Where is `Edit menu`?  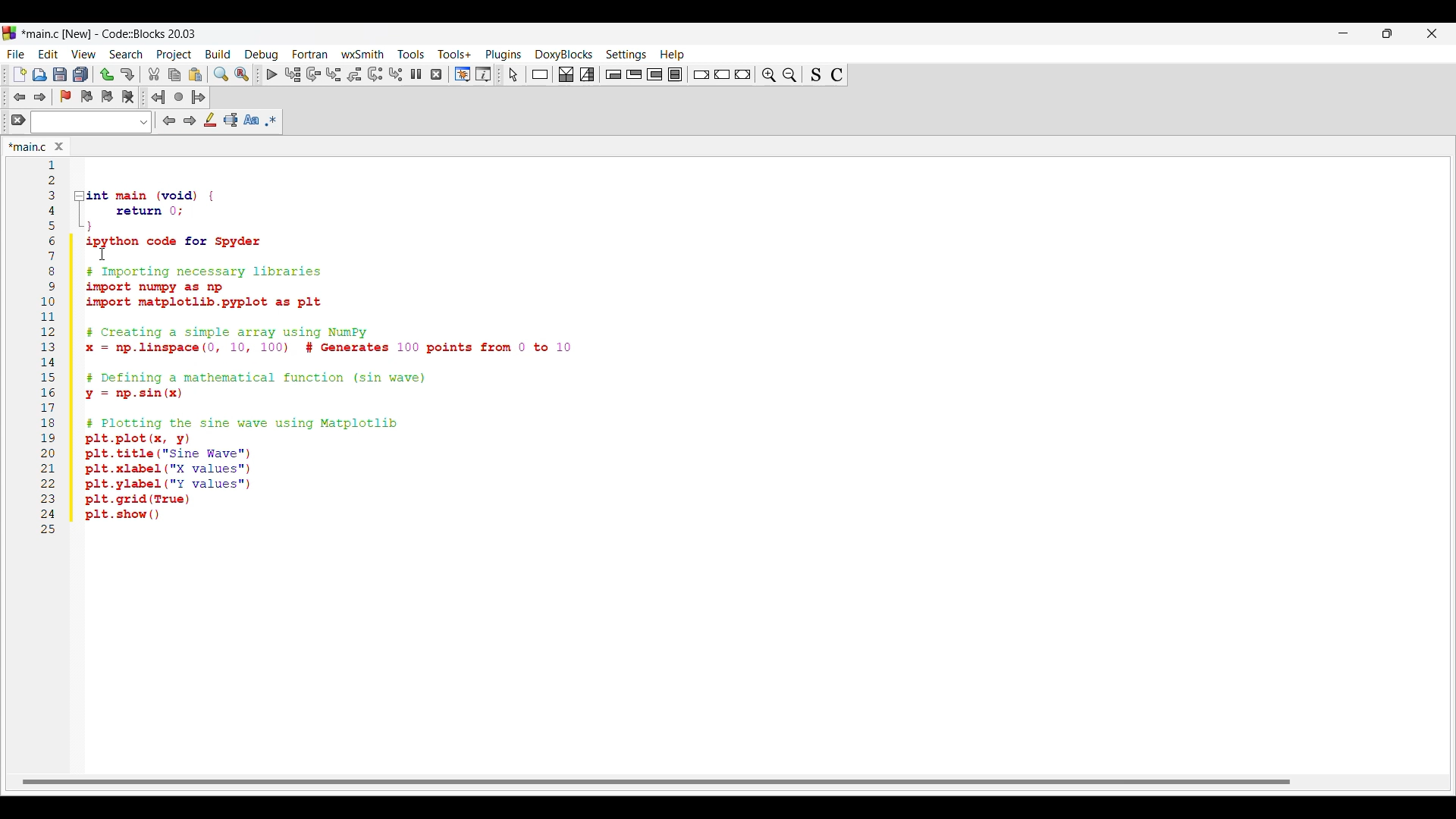
Edit menu is located at coordinates (49, 55).